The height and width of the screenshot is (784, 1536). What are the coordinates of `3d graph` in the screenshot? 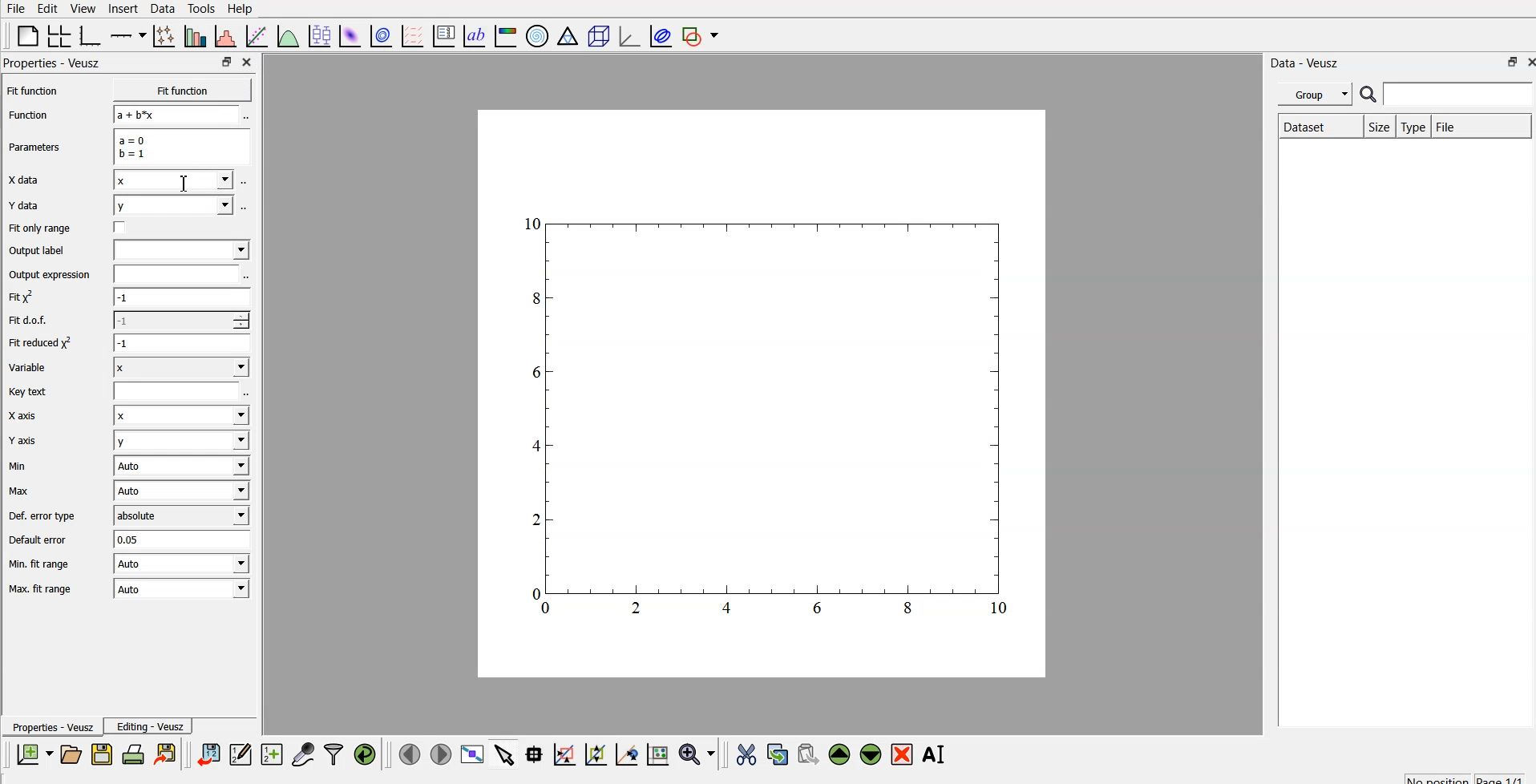 It's located at (632, 37).